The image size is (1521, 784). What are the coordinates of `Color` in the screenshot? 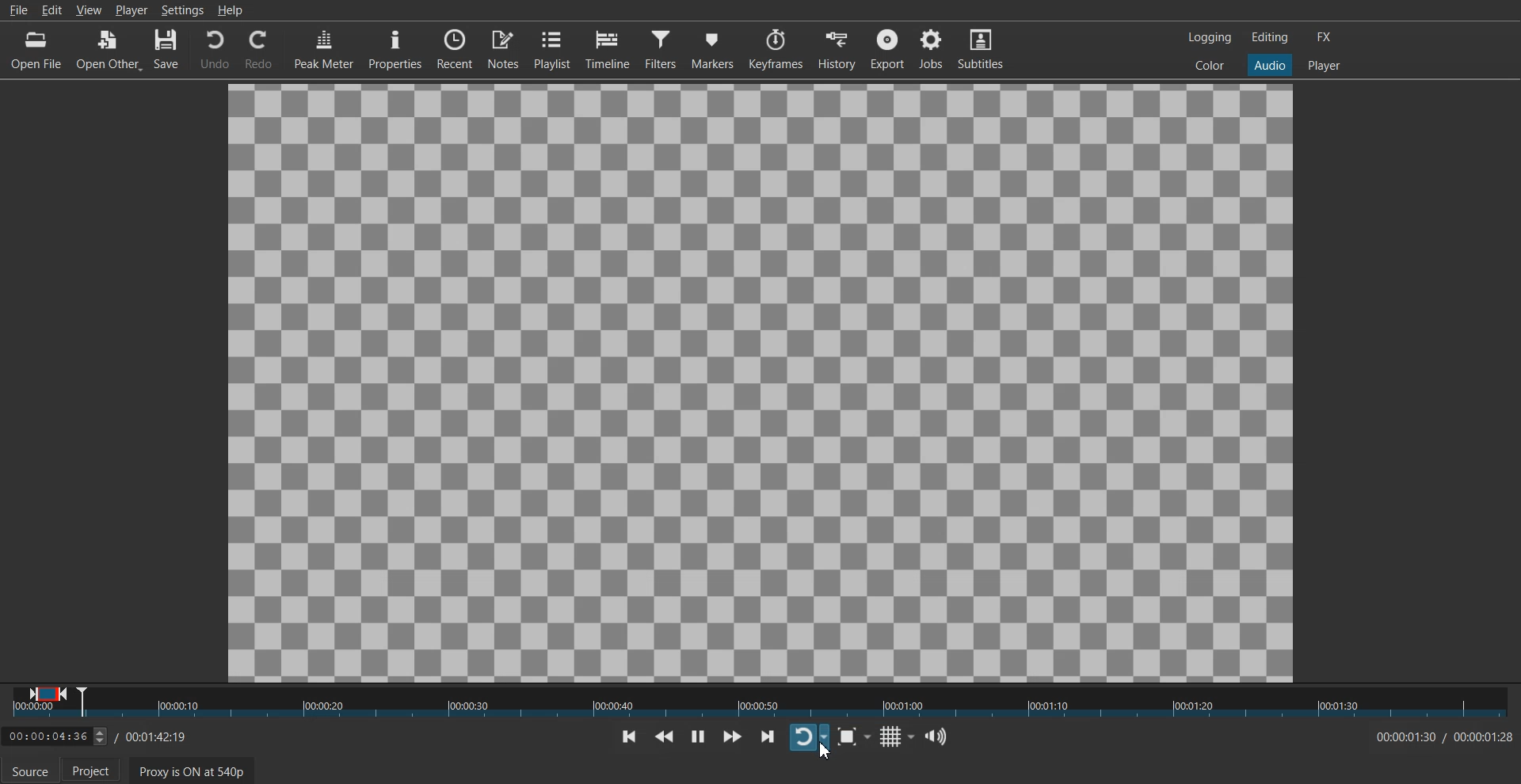 It's located at (1210, 66).